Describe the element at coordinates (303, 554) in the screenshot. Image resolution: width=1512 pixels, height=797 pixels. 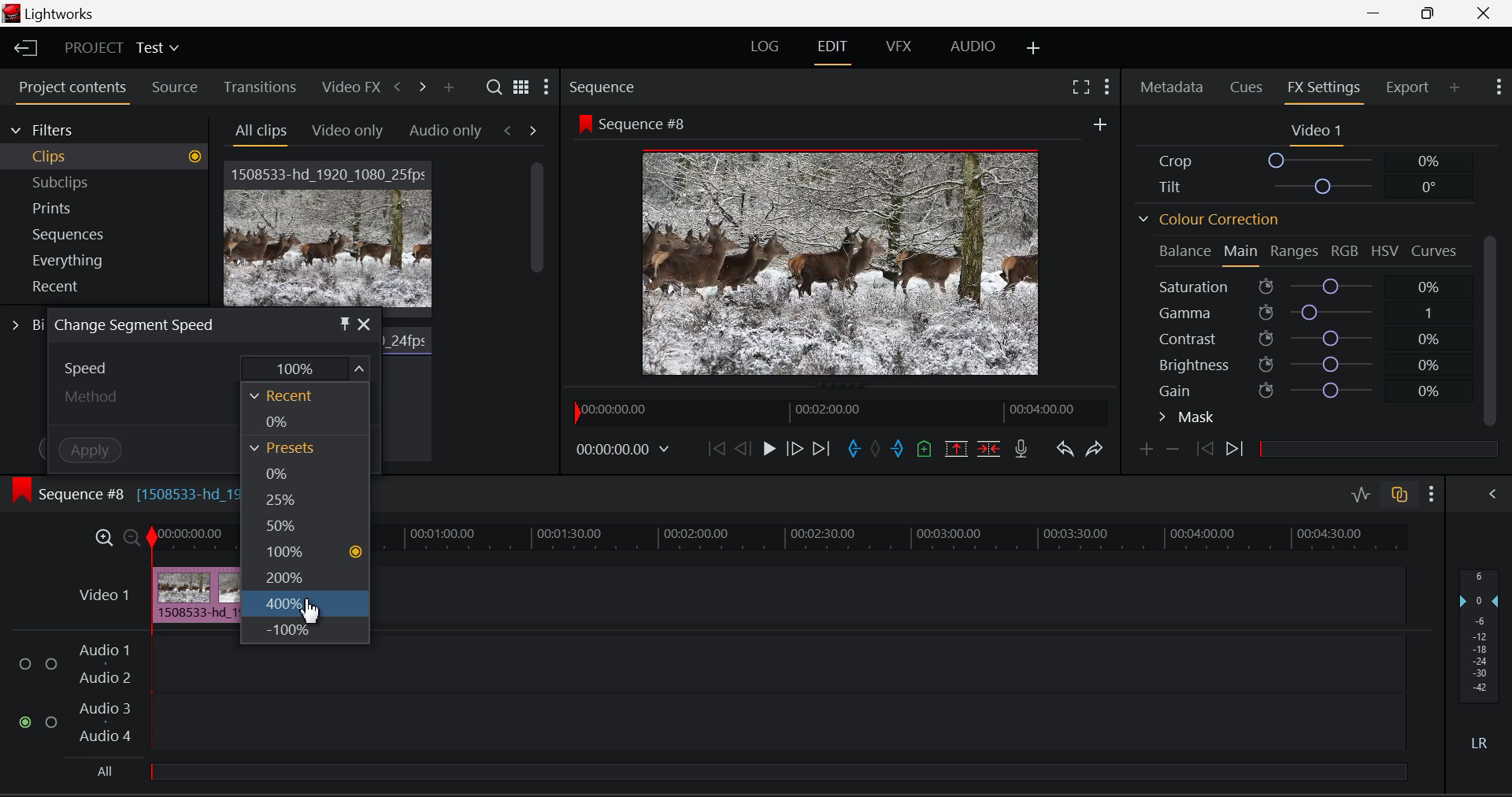
I see `100%` at that location.